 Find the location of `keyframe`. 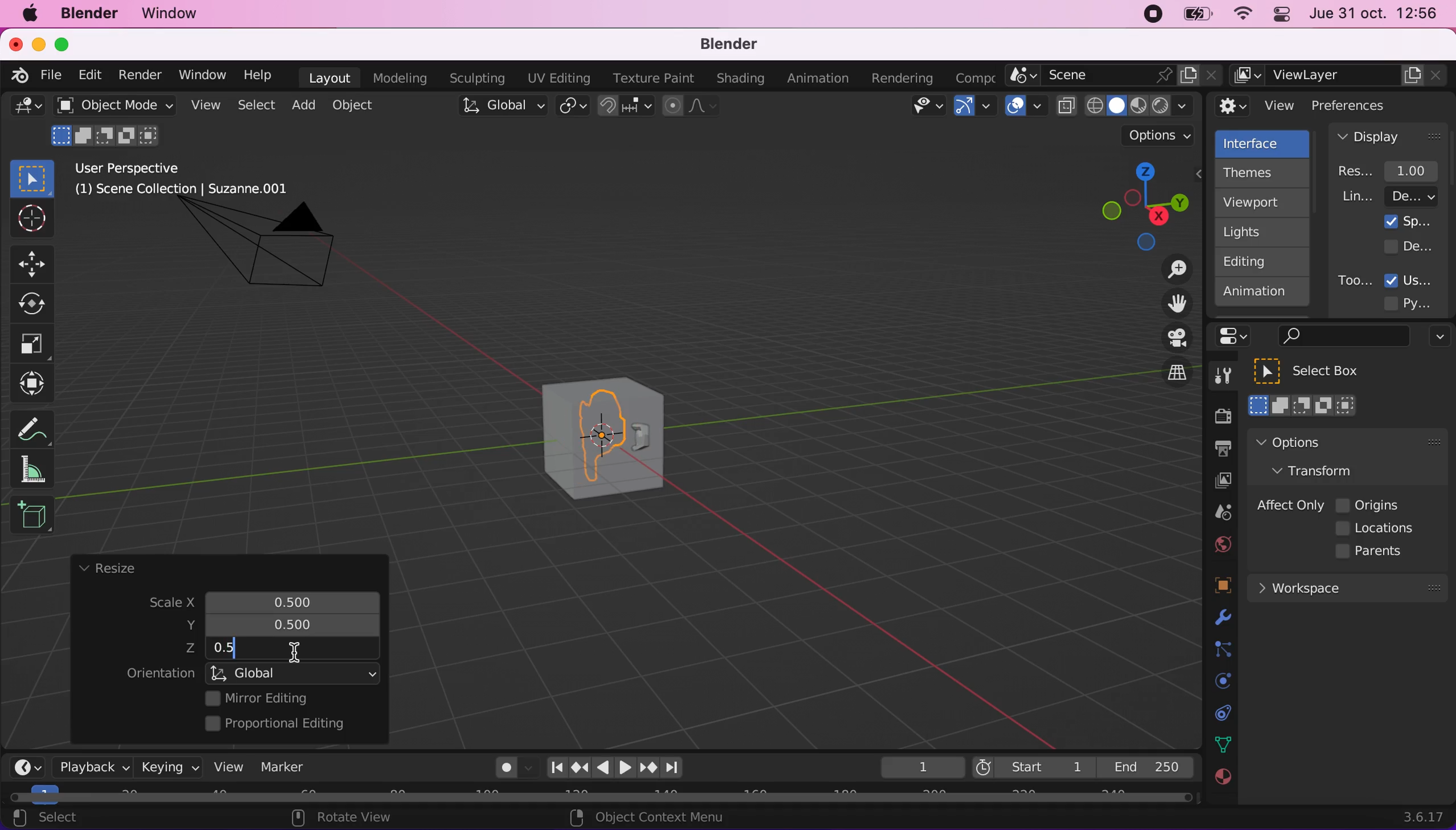

keyframe is located at coordinates (921, 768).